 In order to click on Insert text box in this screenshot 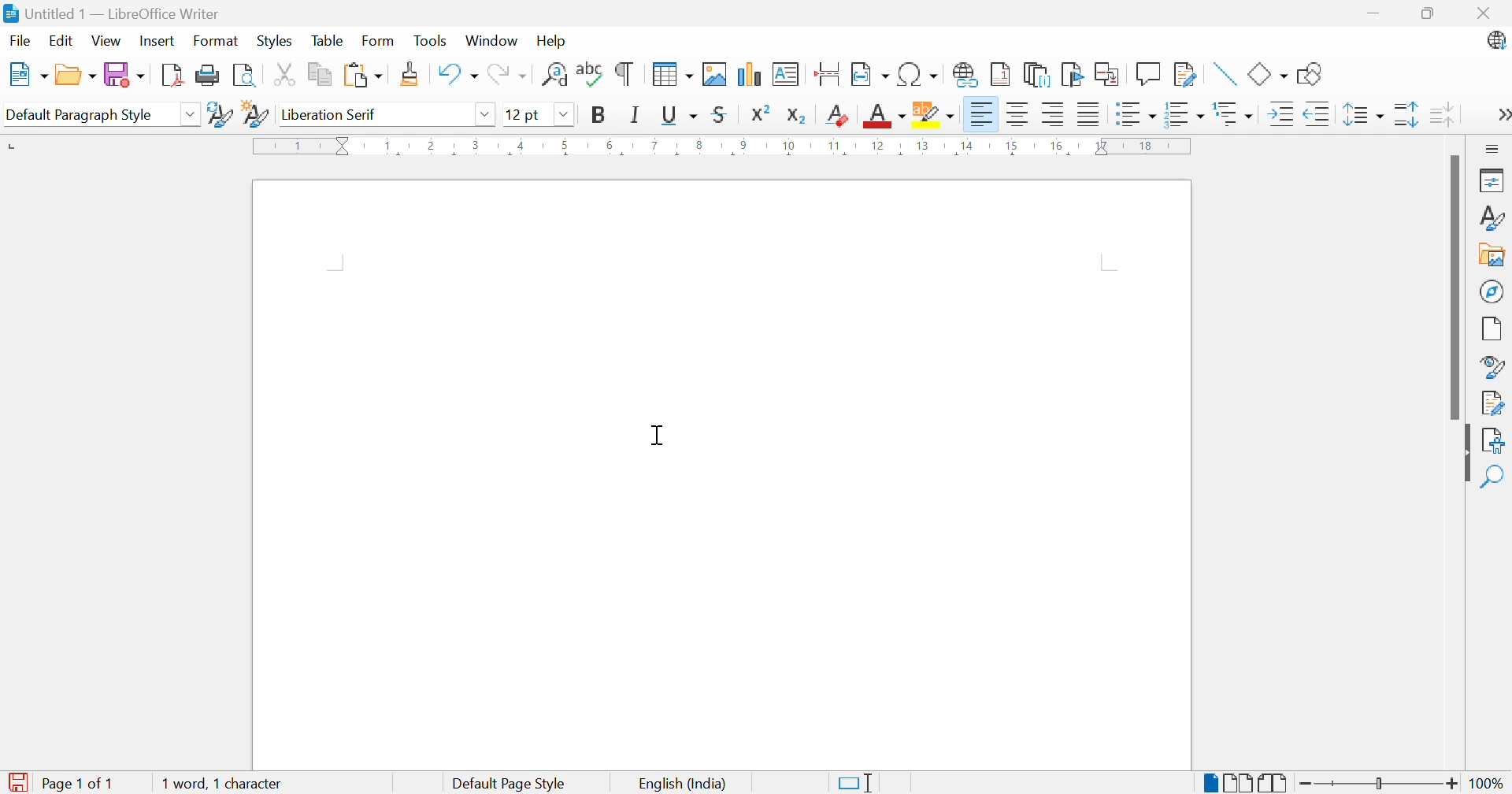, I will do `click(784, 74)`.